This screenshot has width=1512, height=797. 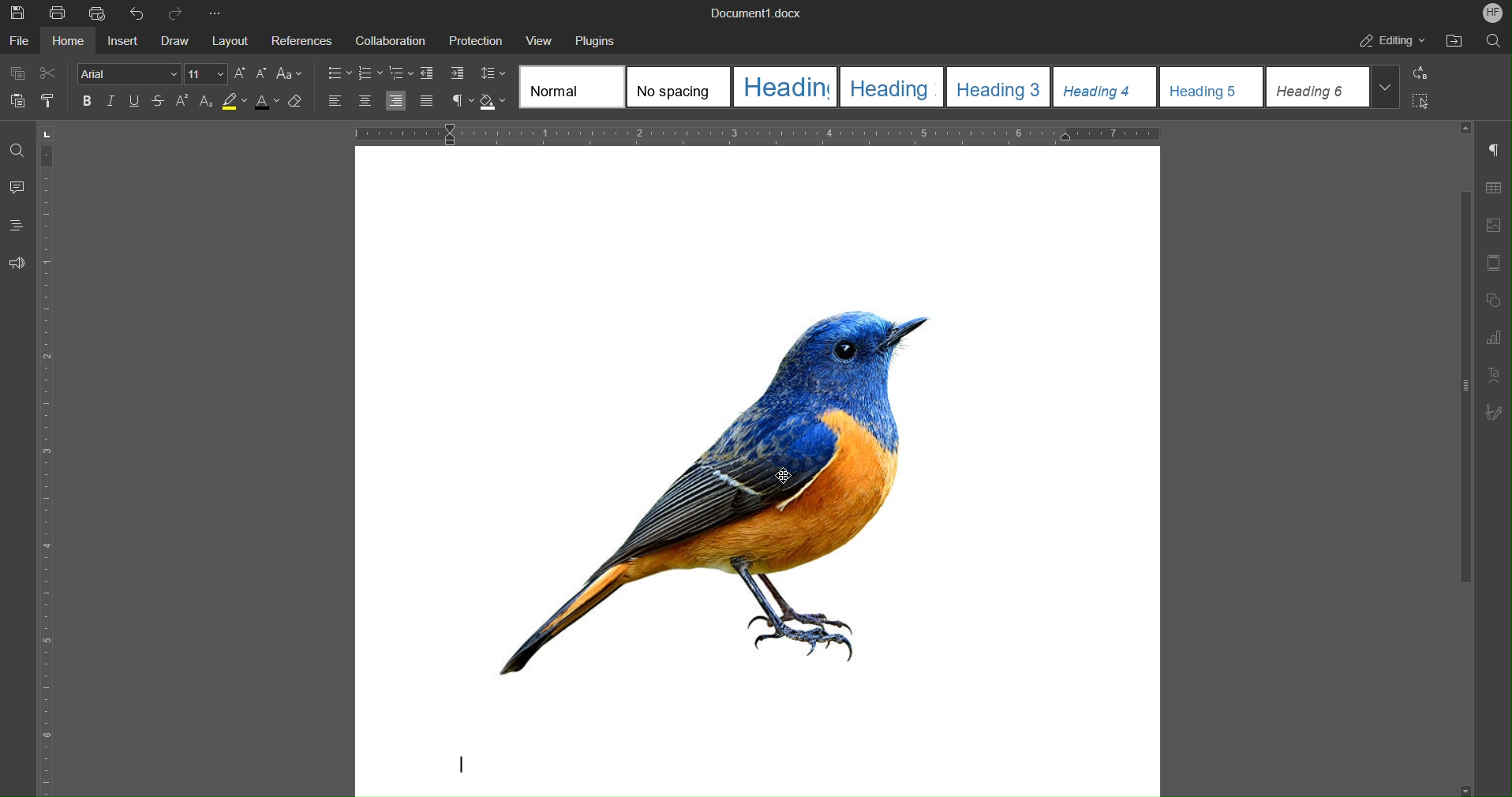 What do you see at coordinates (492, 73) in the screenshot?
I see `Line Spacing` at bounding box center [492, 73].